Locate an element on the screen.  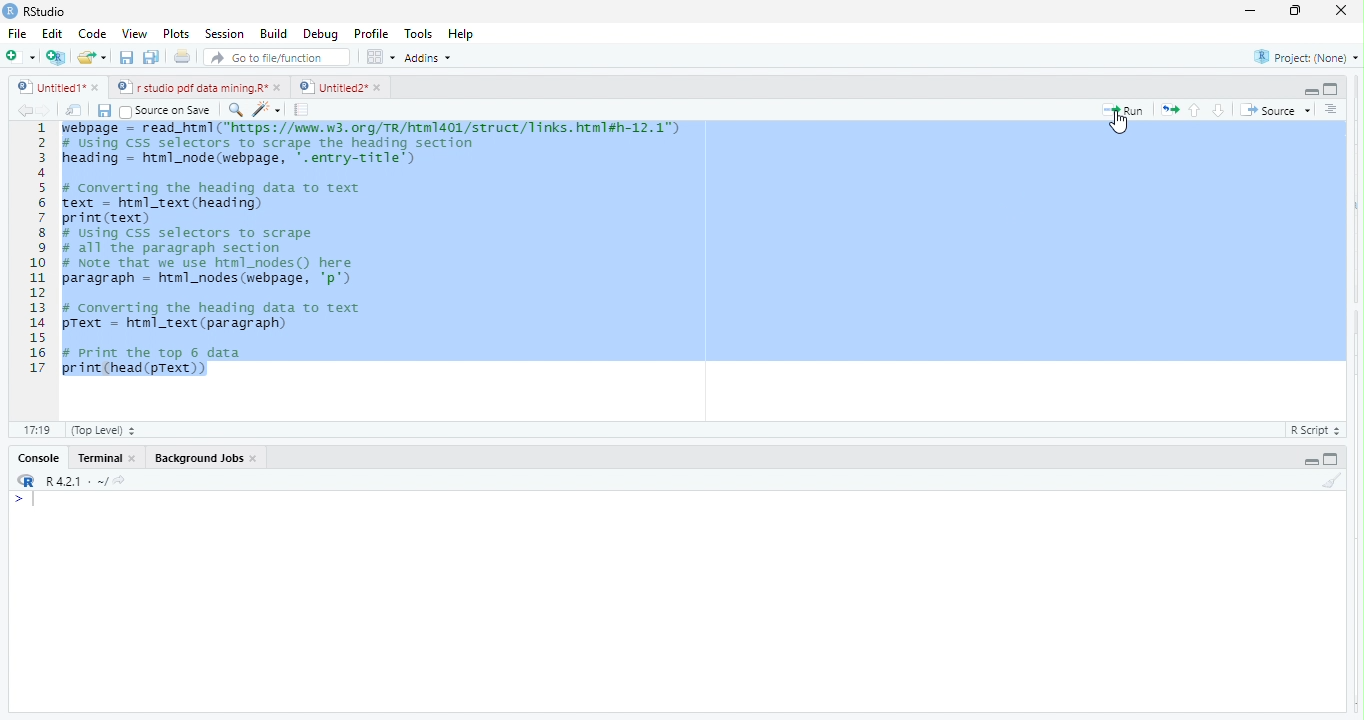
maximize is located at coordinates (1248, 13).